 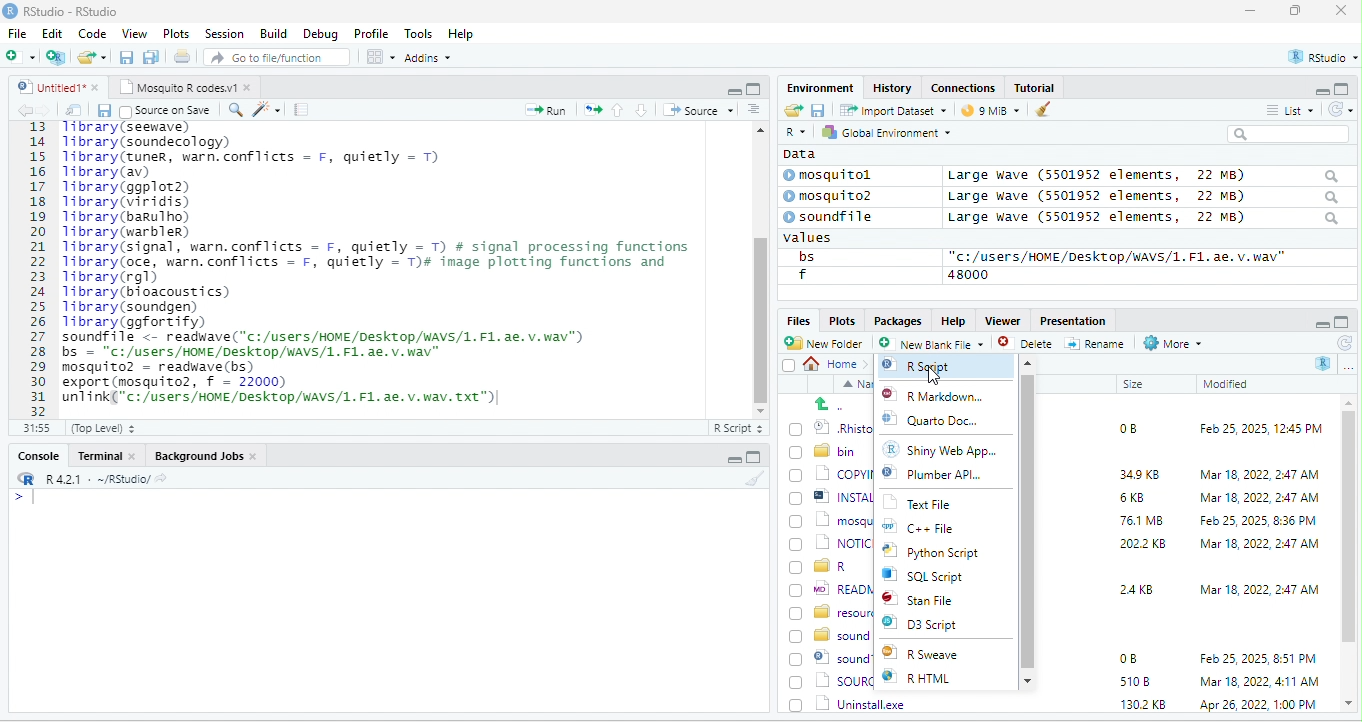 What do you see at coordinates (1295, 134) in the screenshot?
I see `search` at bounding box center [1295, 134].